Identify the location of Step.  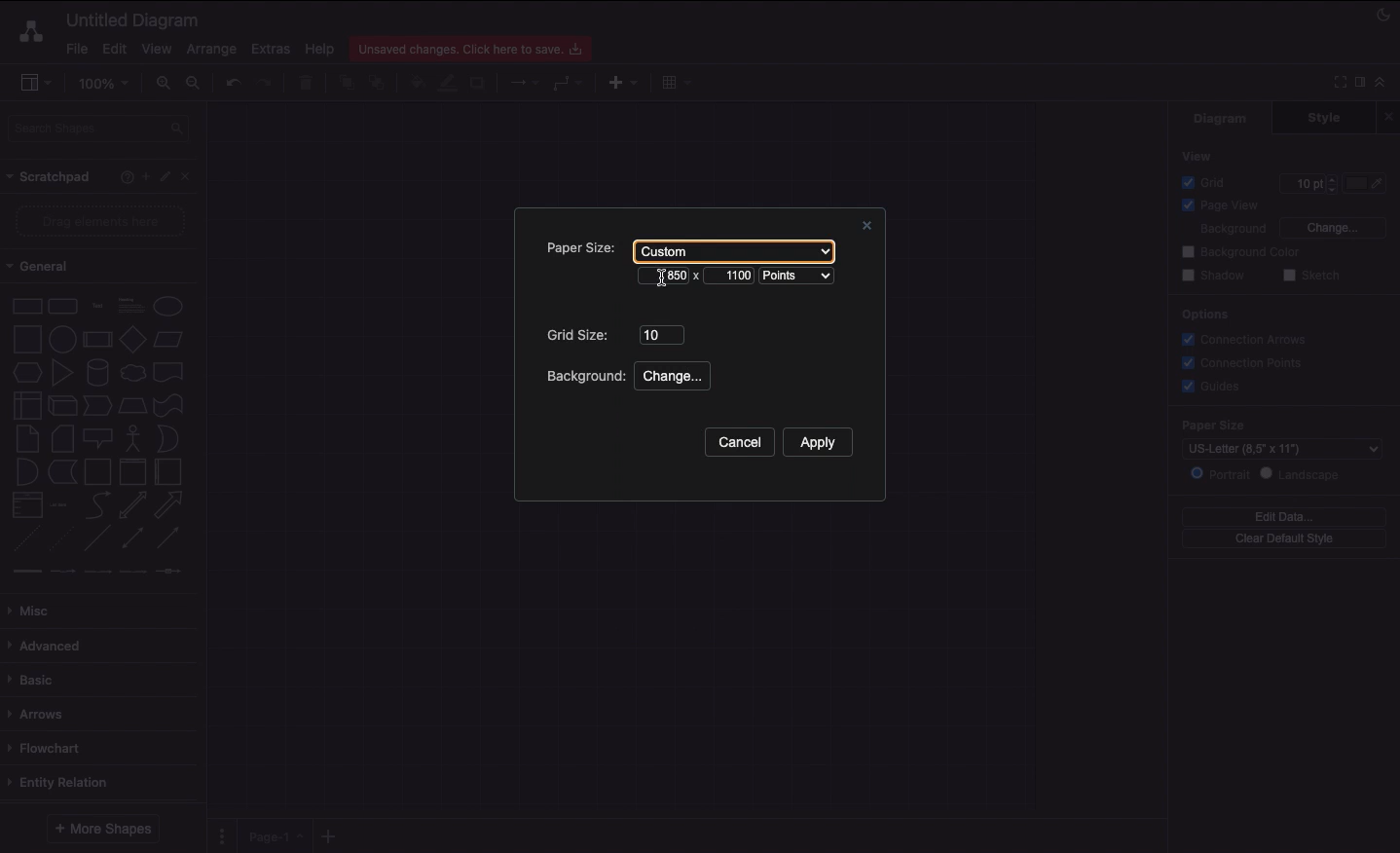
(97, 406).